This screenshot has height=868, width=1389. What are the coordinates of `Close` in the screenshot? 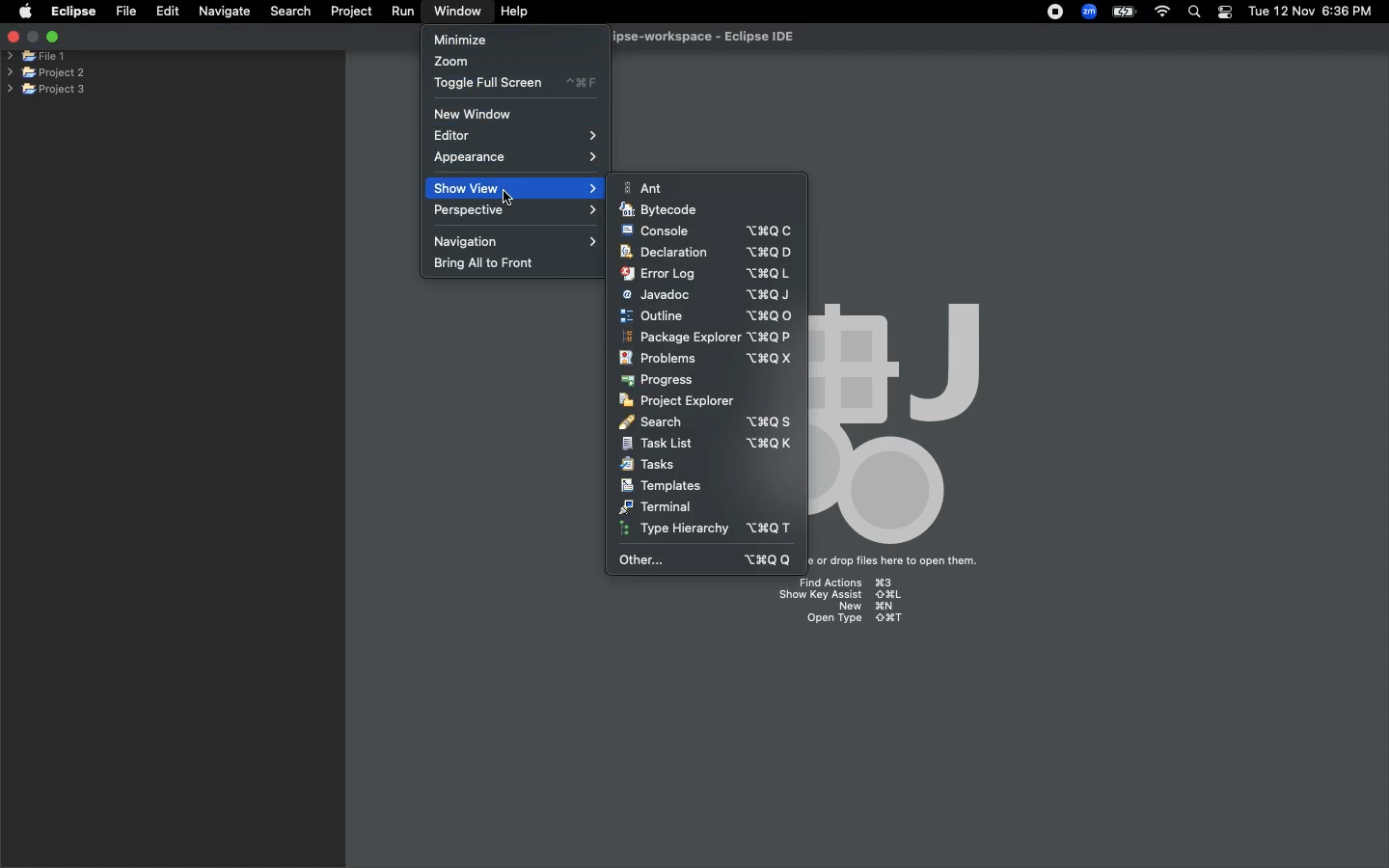 It's located at (12, 39).